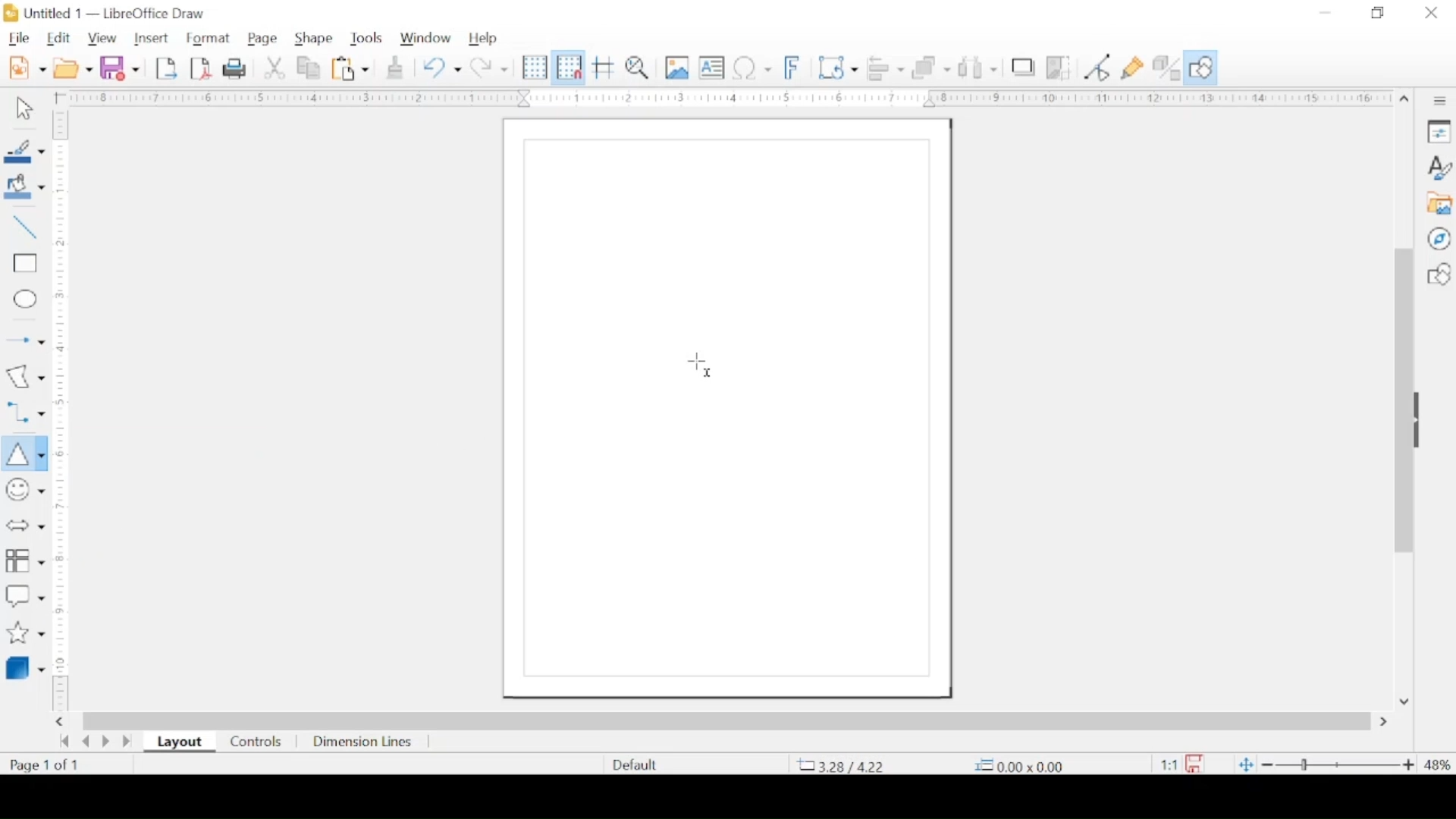  I want to click on zoom slider, so click(1338, 765).